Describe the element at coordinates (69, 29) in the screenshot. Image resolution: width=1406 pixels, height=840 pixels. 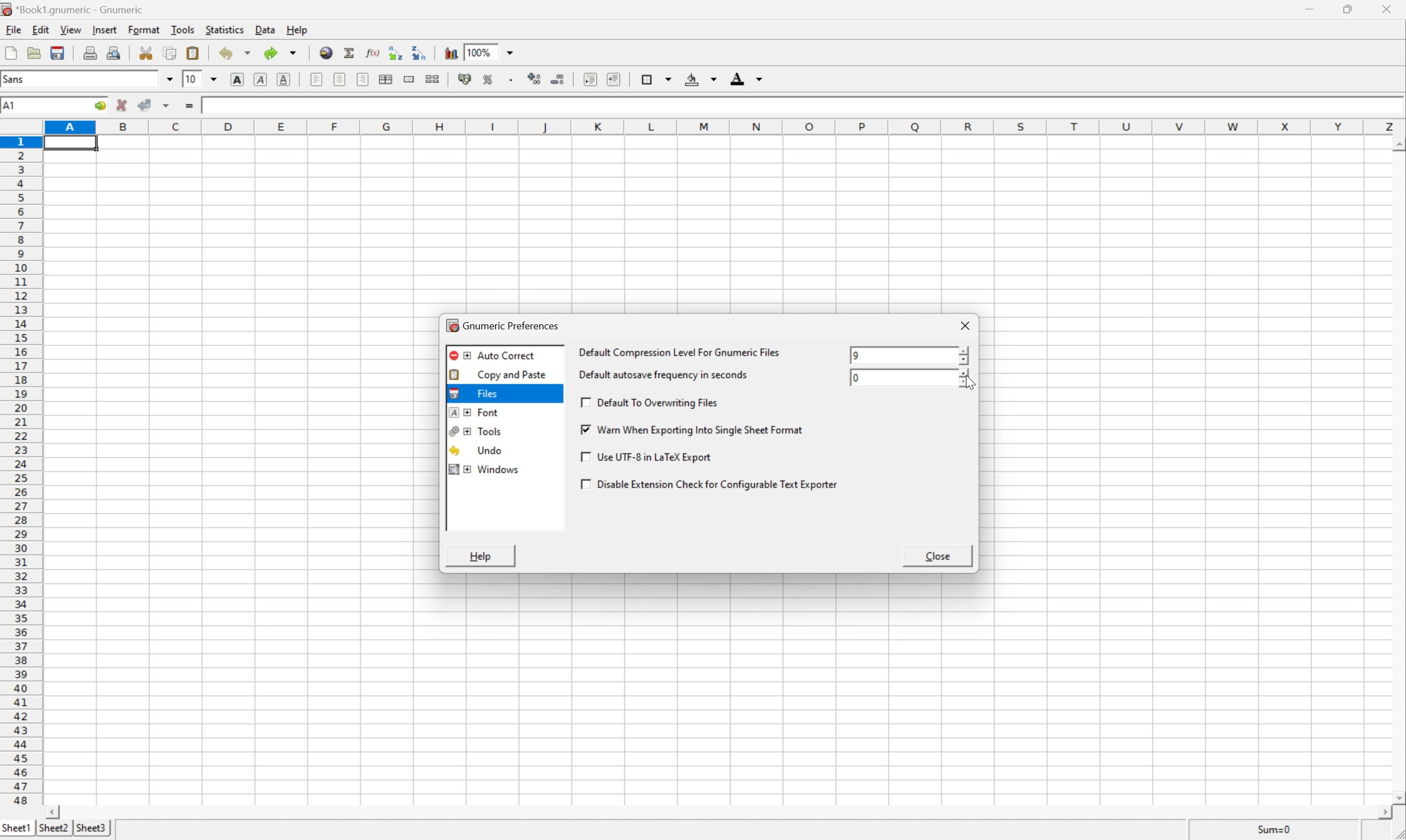
I see `view` at that location.